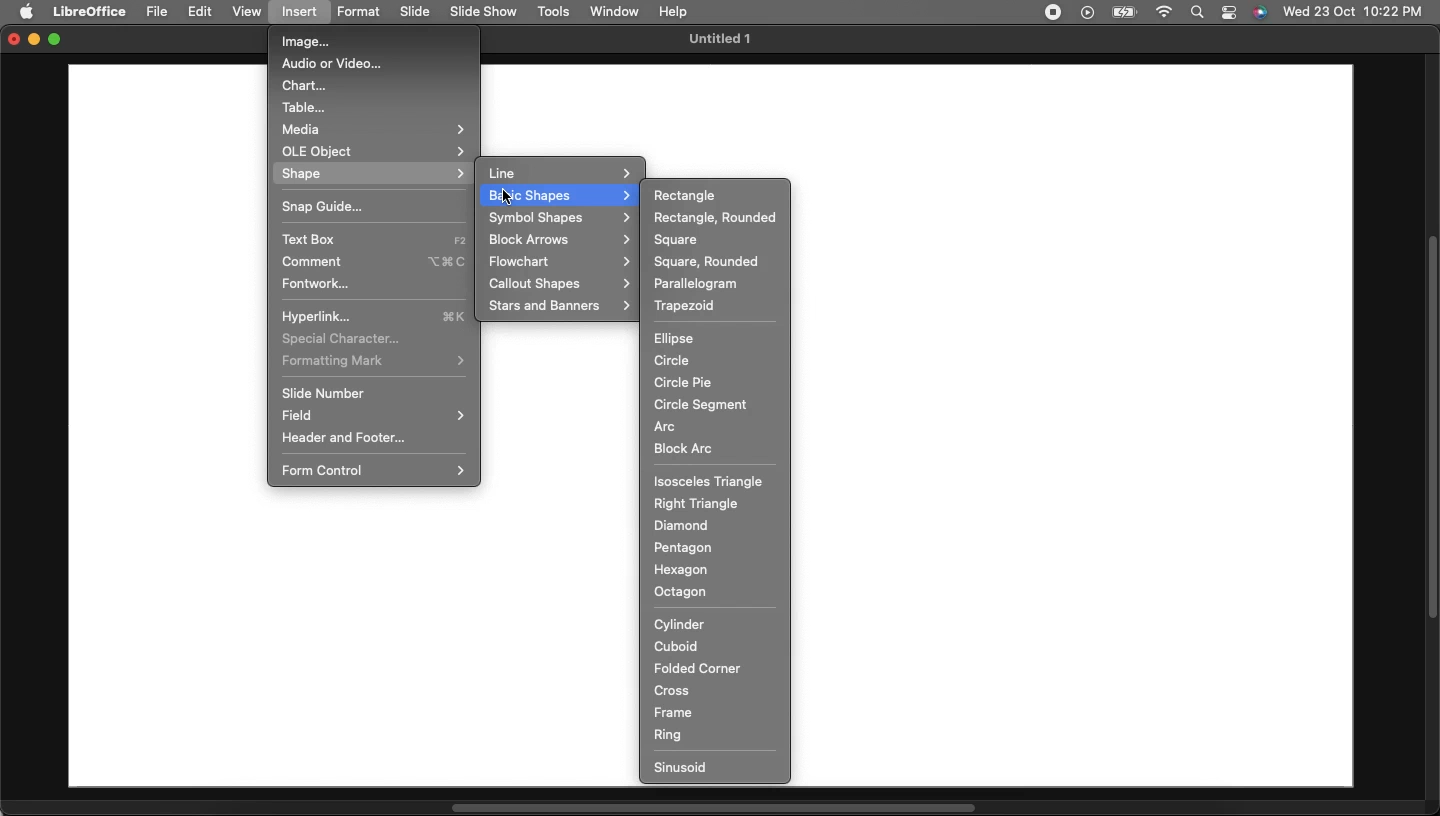 This screenshot has width=1440, height=816. What do you see at coordinates (417, 12) in the screenshot?
I see `Slide` at bounding box center [417, 12].